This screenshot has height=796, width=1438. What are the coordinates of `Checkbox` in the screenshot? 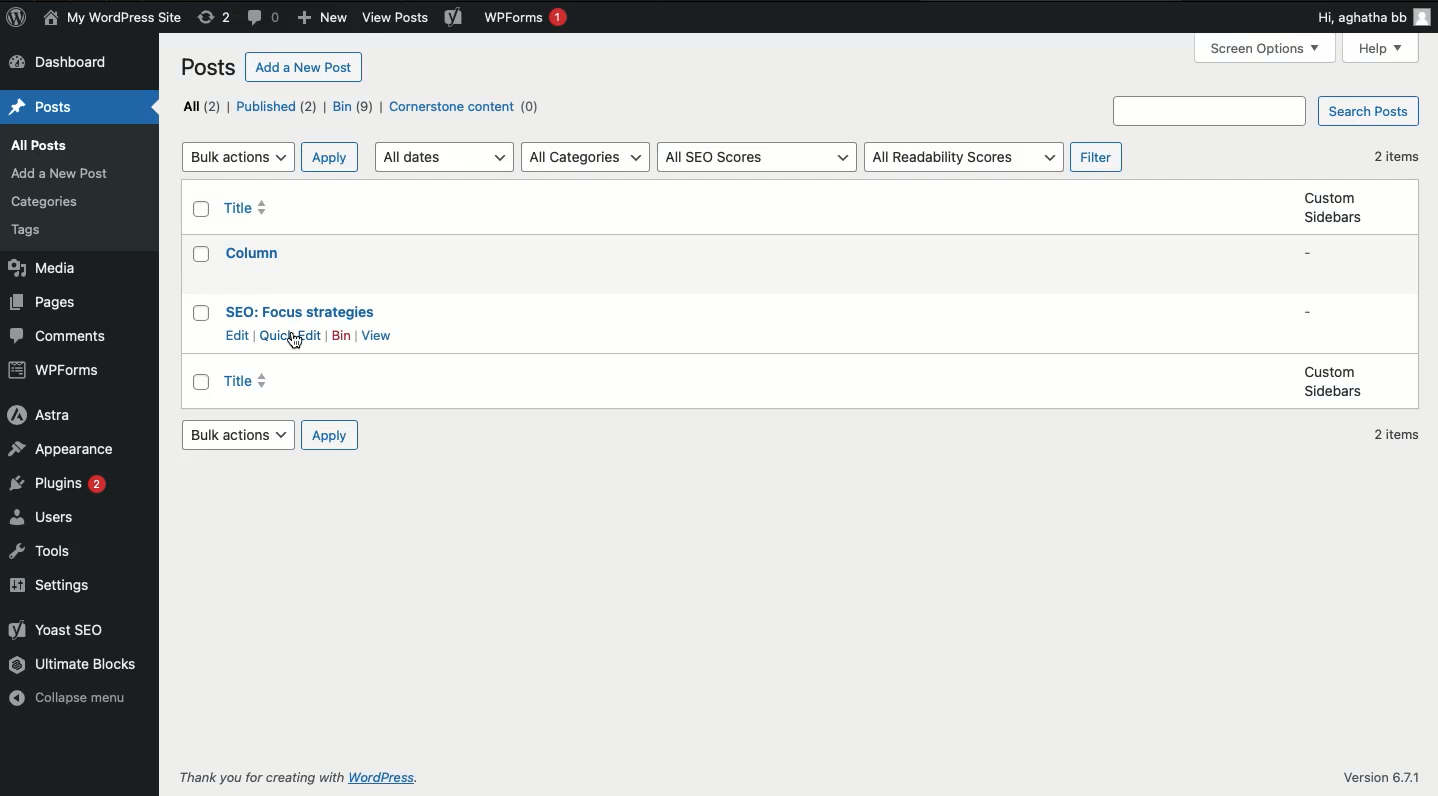 It's located at (203, 210).